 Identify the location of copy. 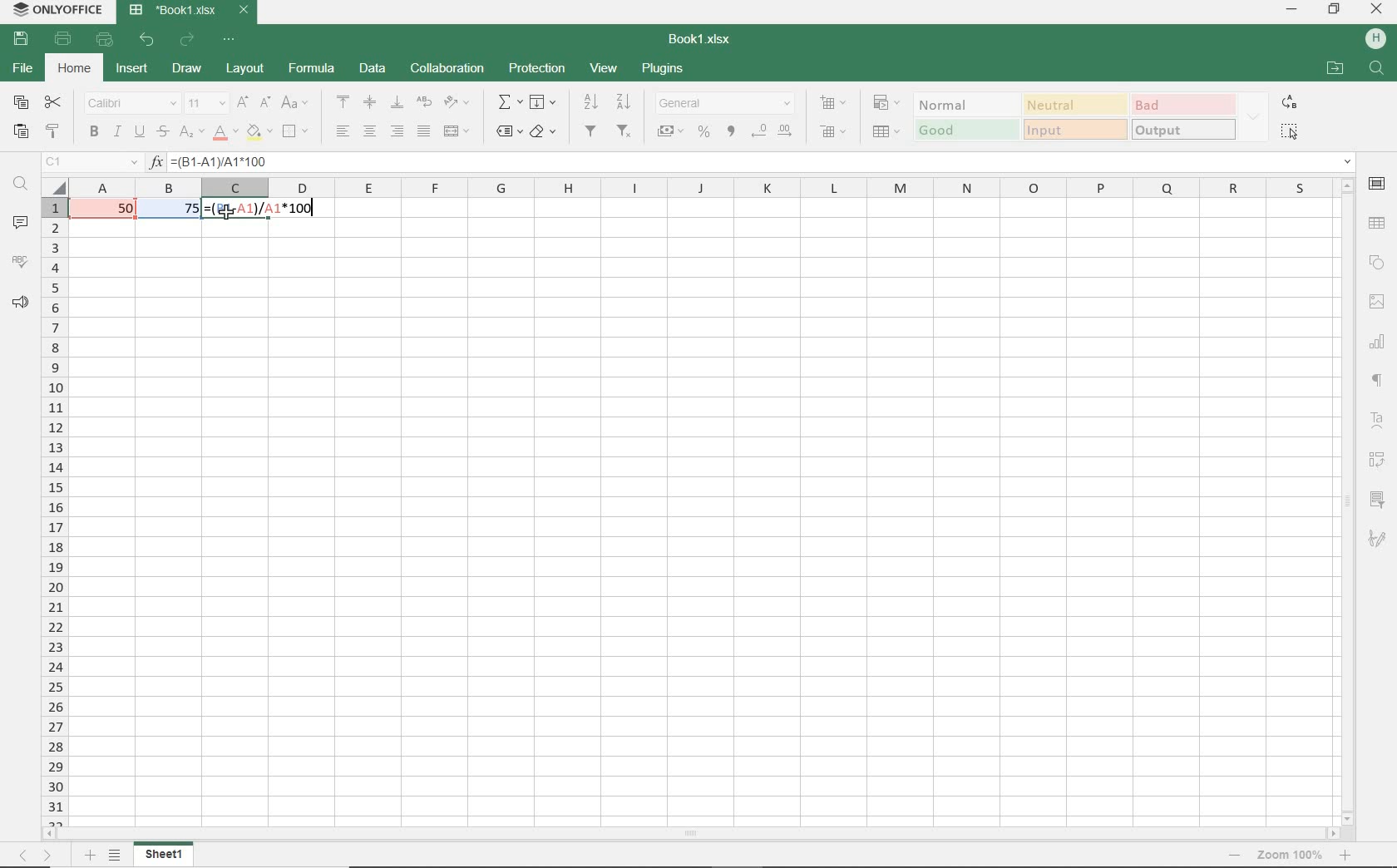
(21, 101).